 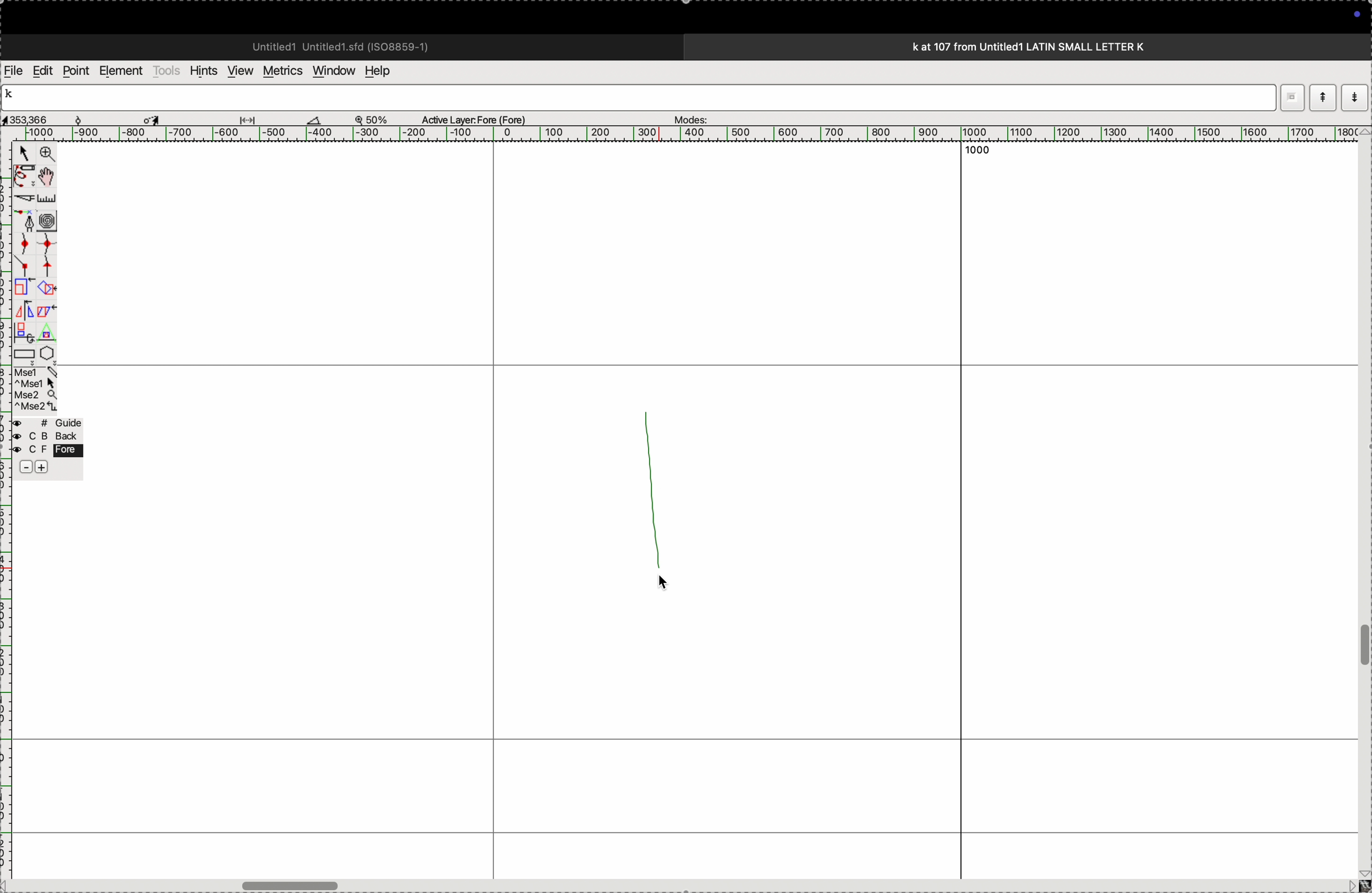 What do you see at coordinates (35, 255) in the screenshot?
I see `spline` at bounding box center [35, 255].